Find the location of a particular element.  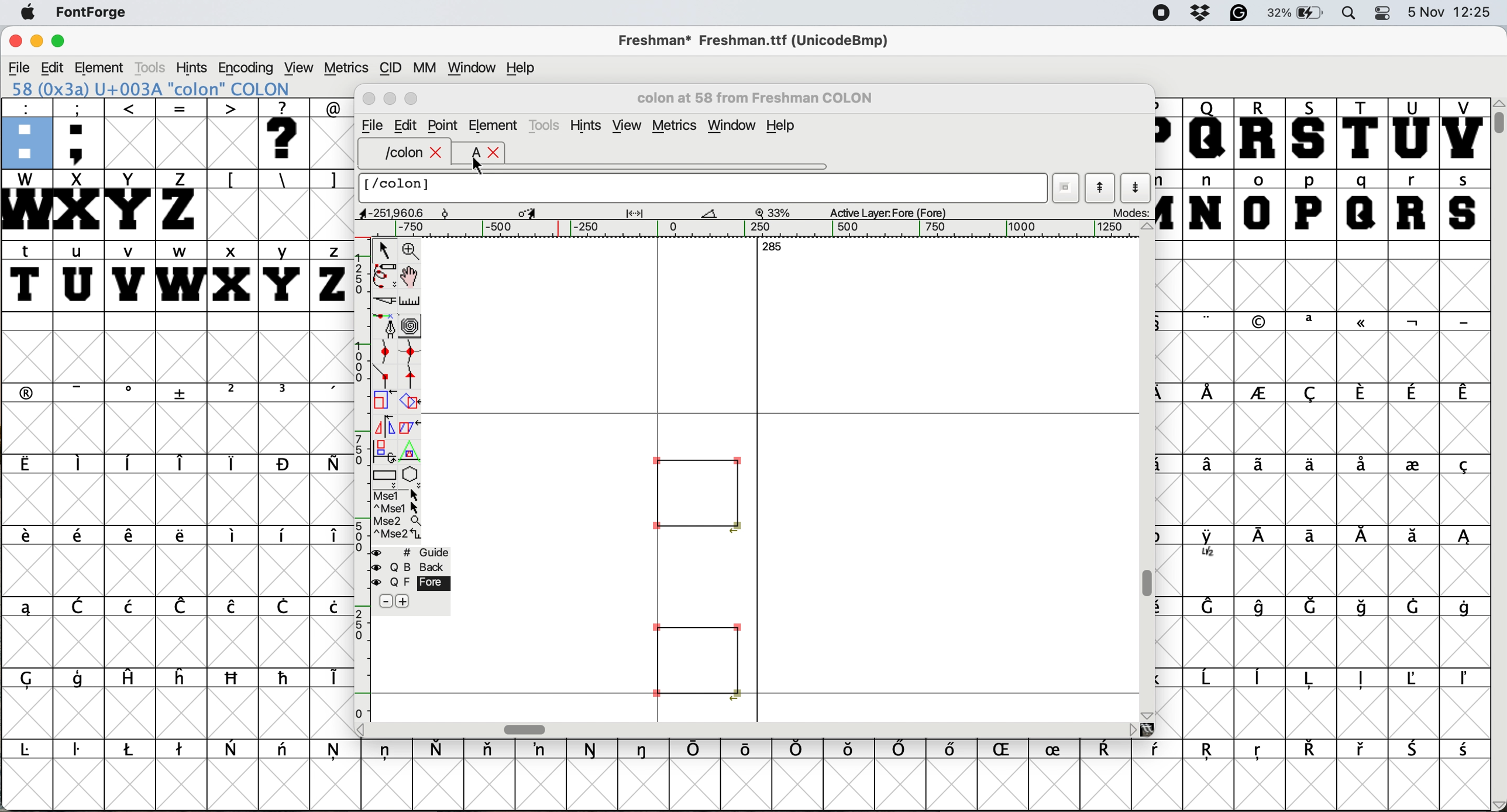

symbol is located at coordinates (183, 393).